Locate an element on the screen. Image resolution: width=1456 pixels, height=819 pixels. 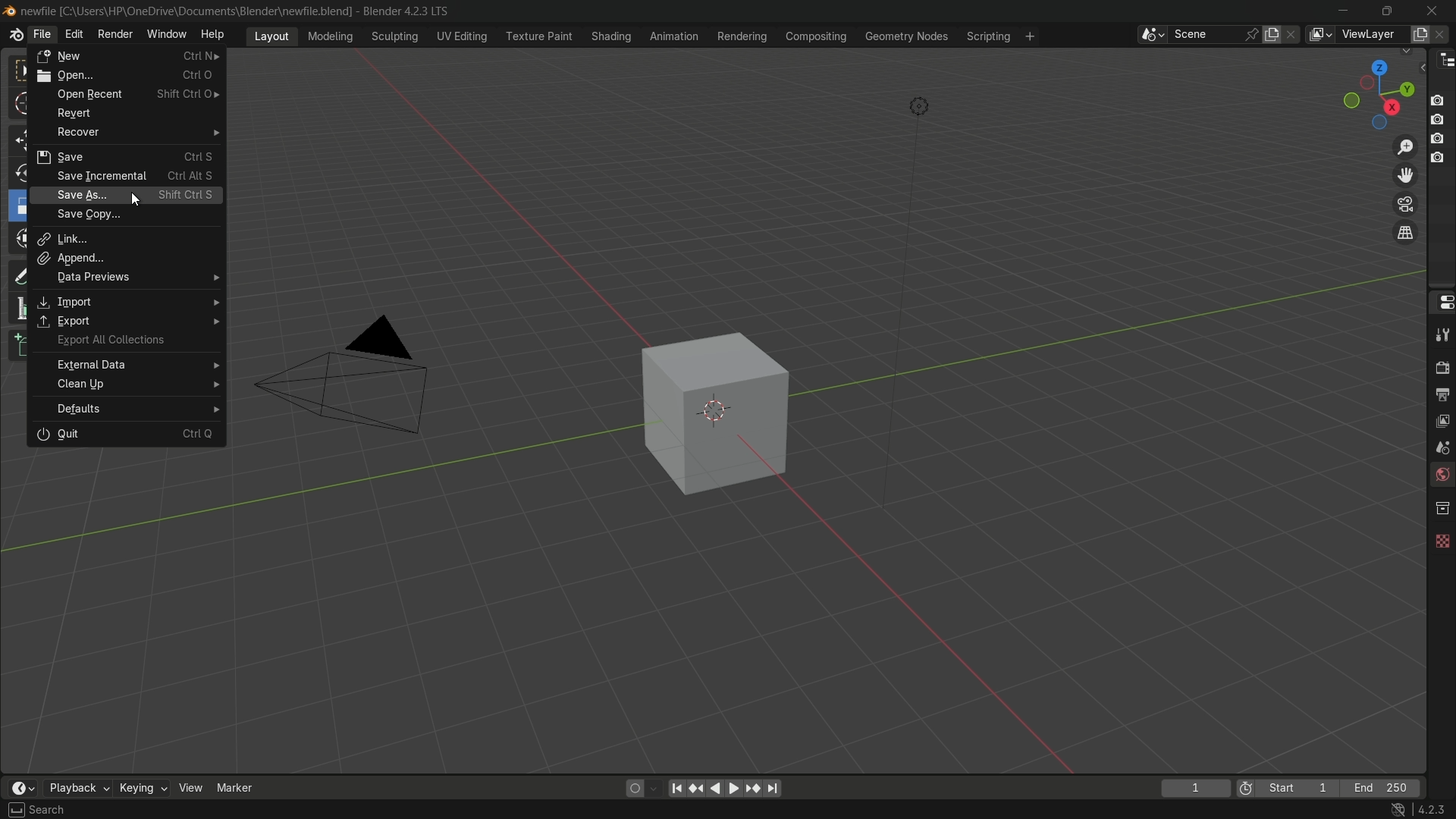
new is located at coordinates (126, 55).